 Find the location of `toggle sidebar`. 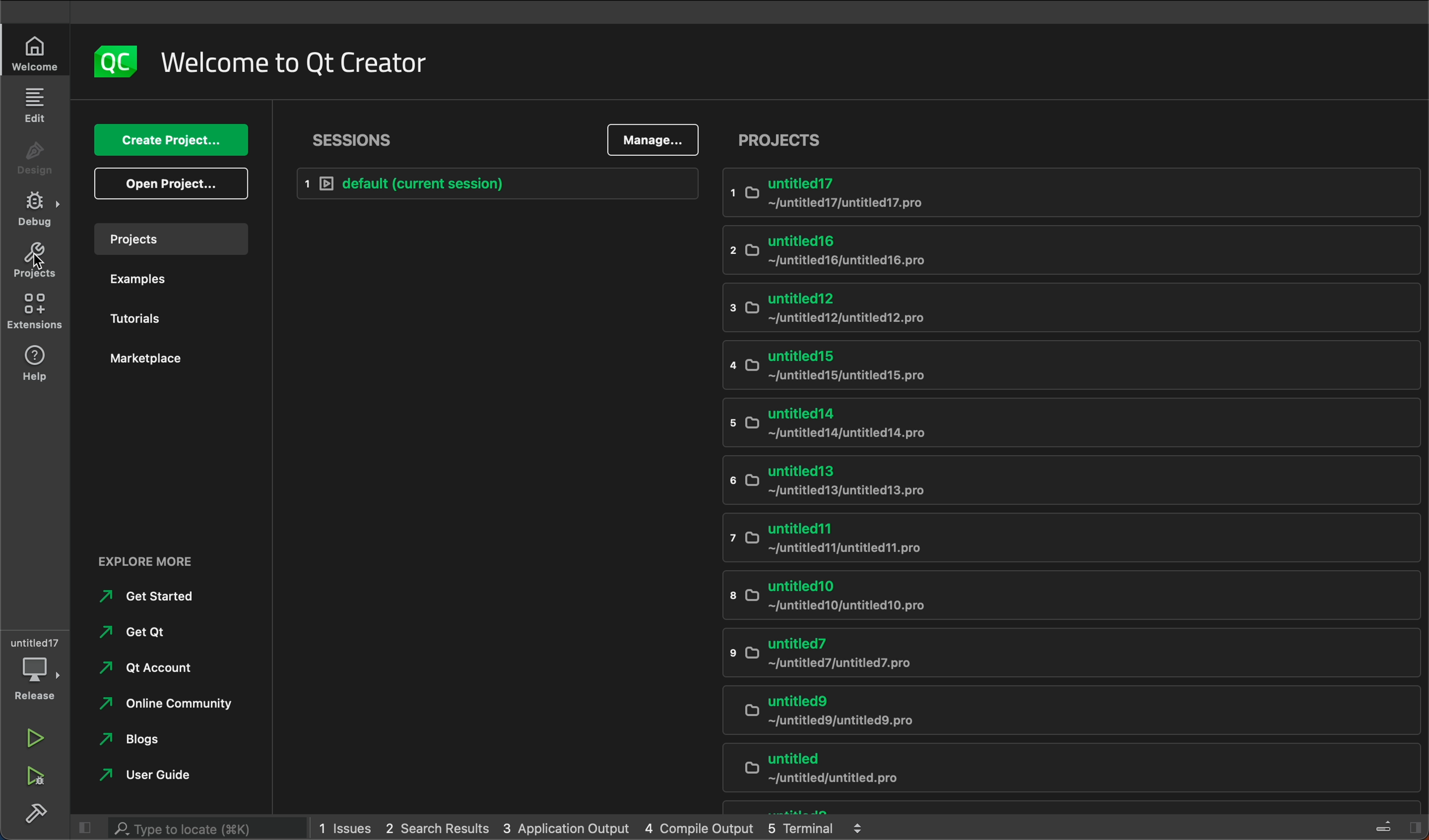

toggle sidebar is located at coordinates (1398, 828).